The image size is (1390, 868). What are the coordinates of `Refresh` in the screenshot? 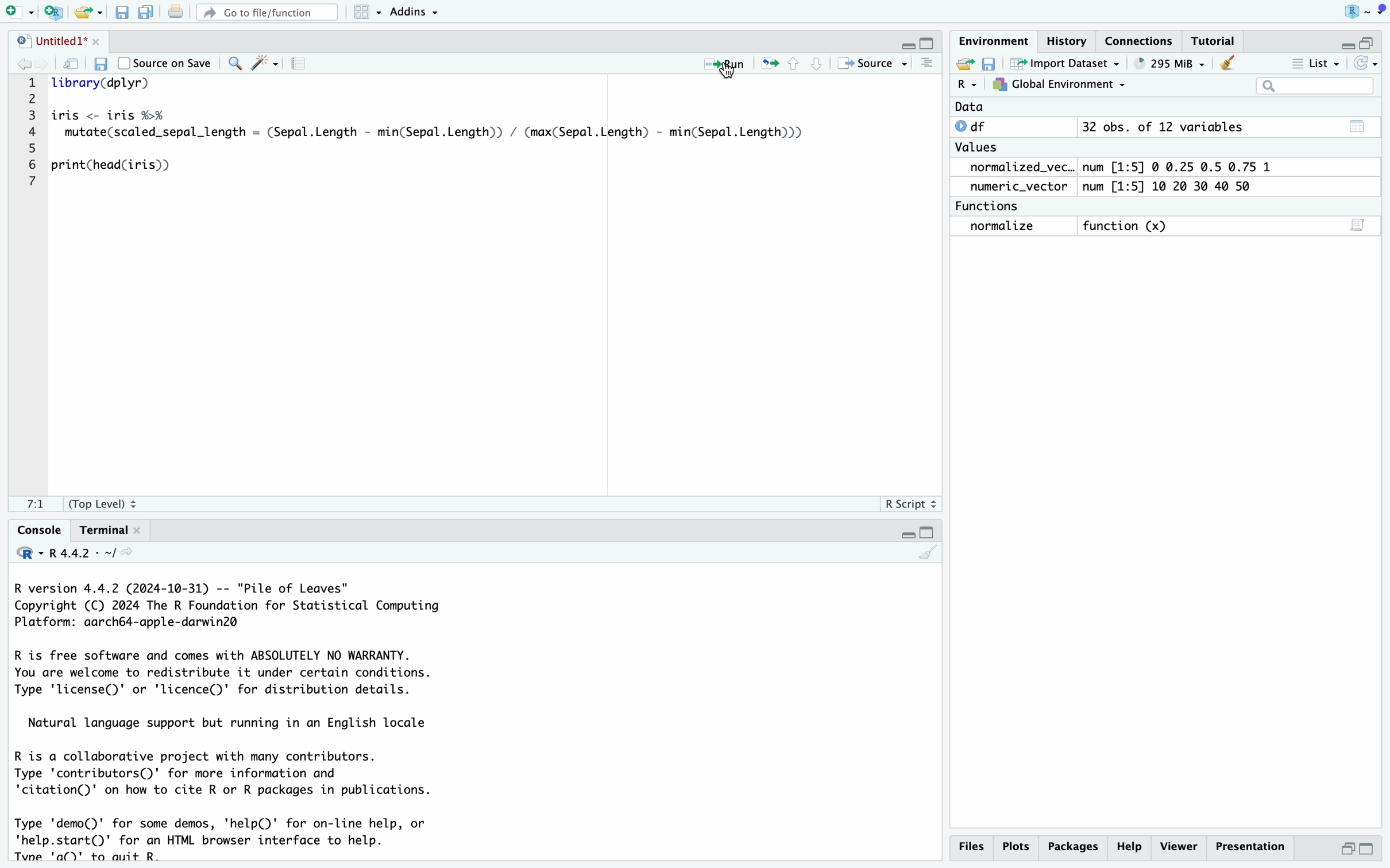 It's located at (72, 63).